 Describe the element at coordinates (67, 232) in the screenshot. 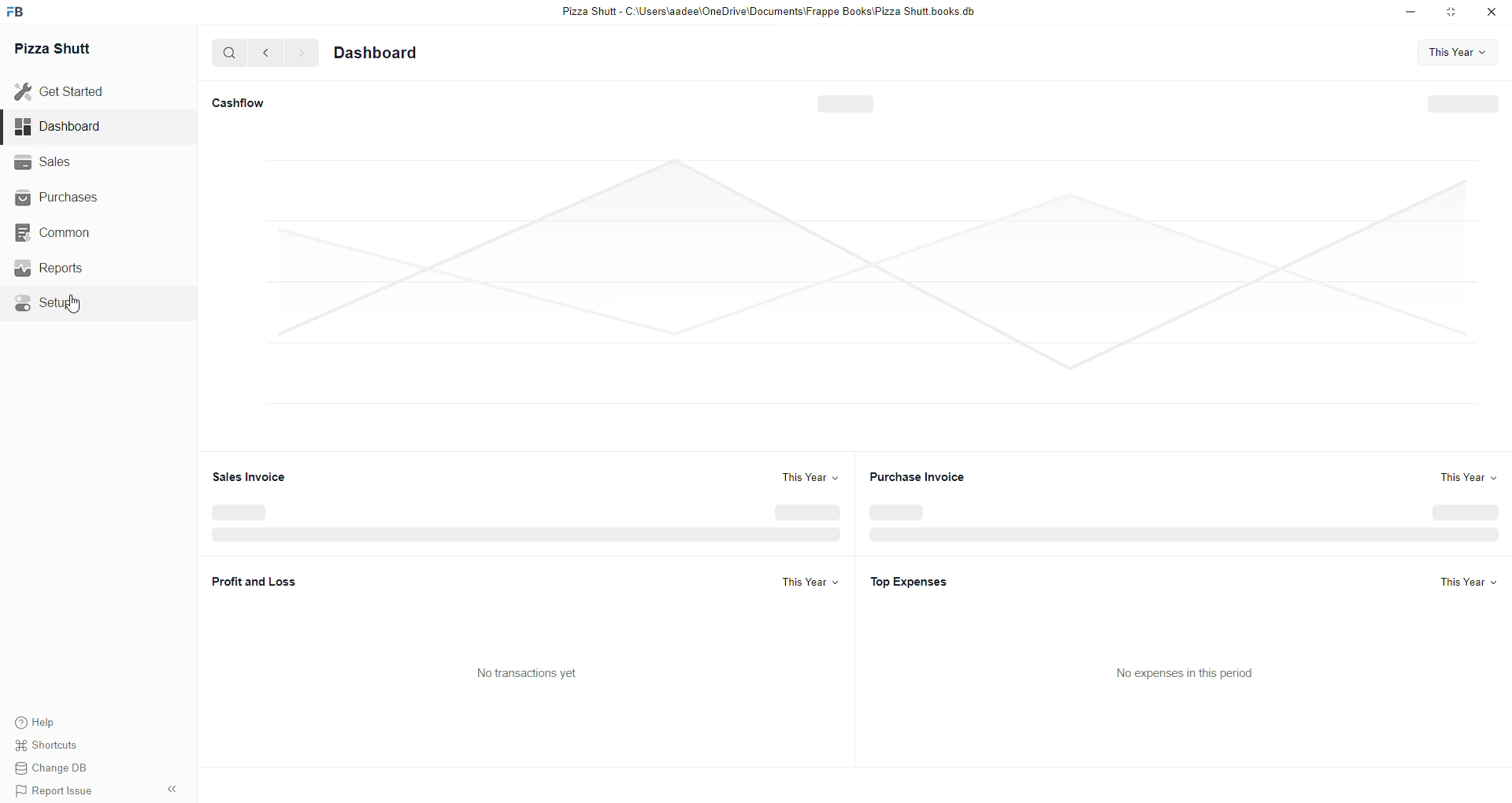

I see `Common ` at that location.